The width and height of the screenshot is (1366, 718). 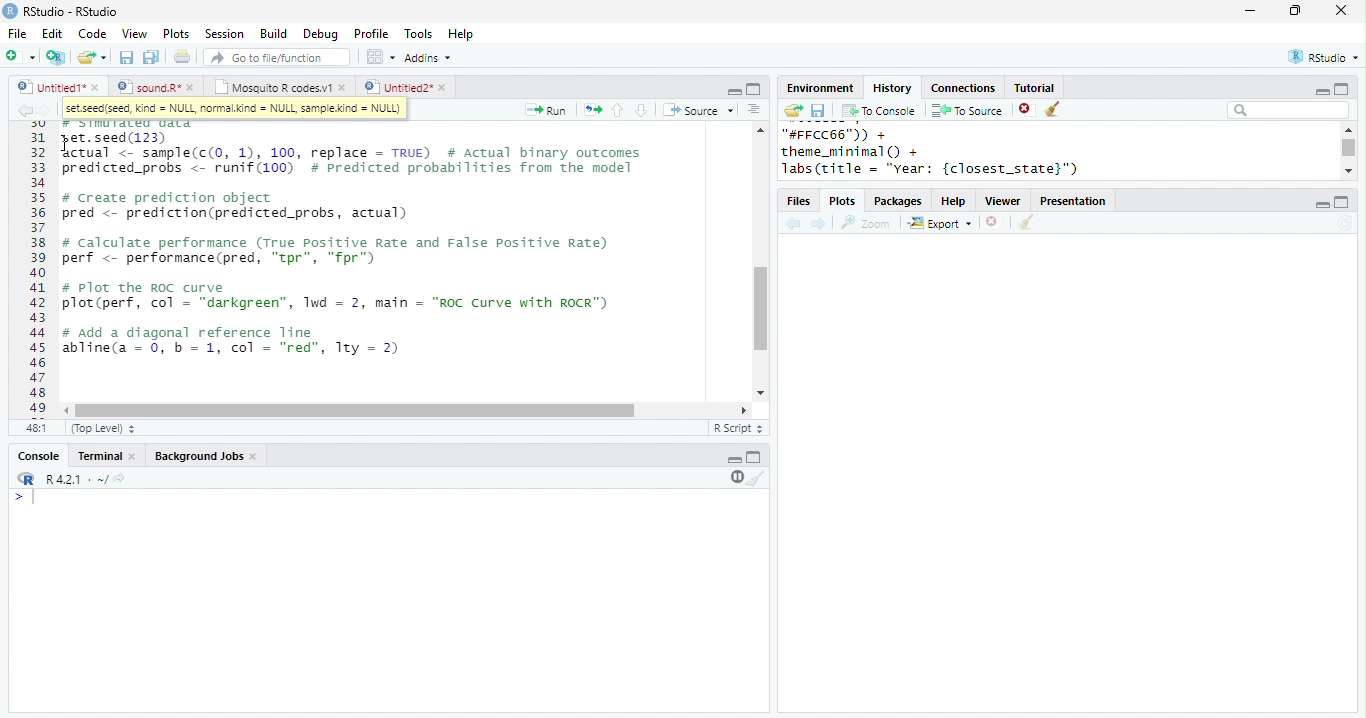 What do you see at coordinates (419, 34) in the screenshot?
I see `Tools` at bounding box center [419, 34].